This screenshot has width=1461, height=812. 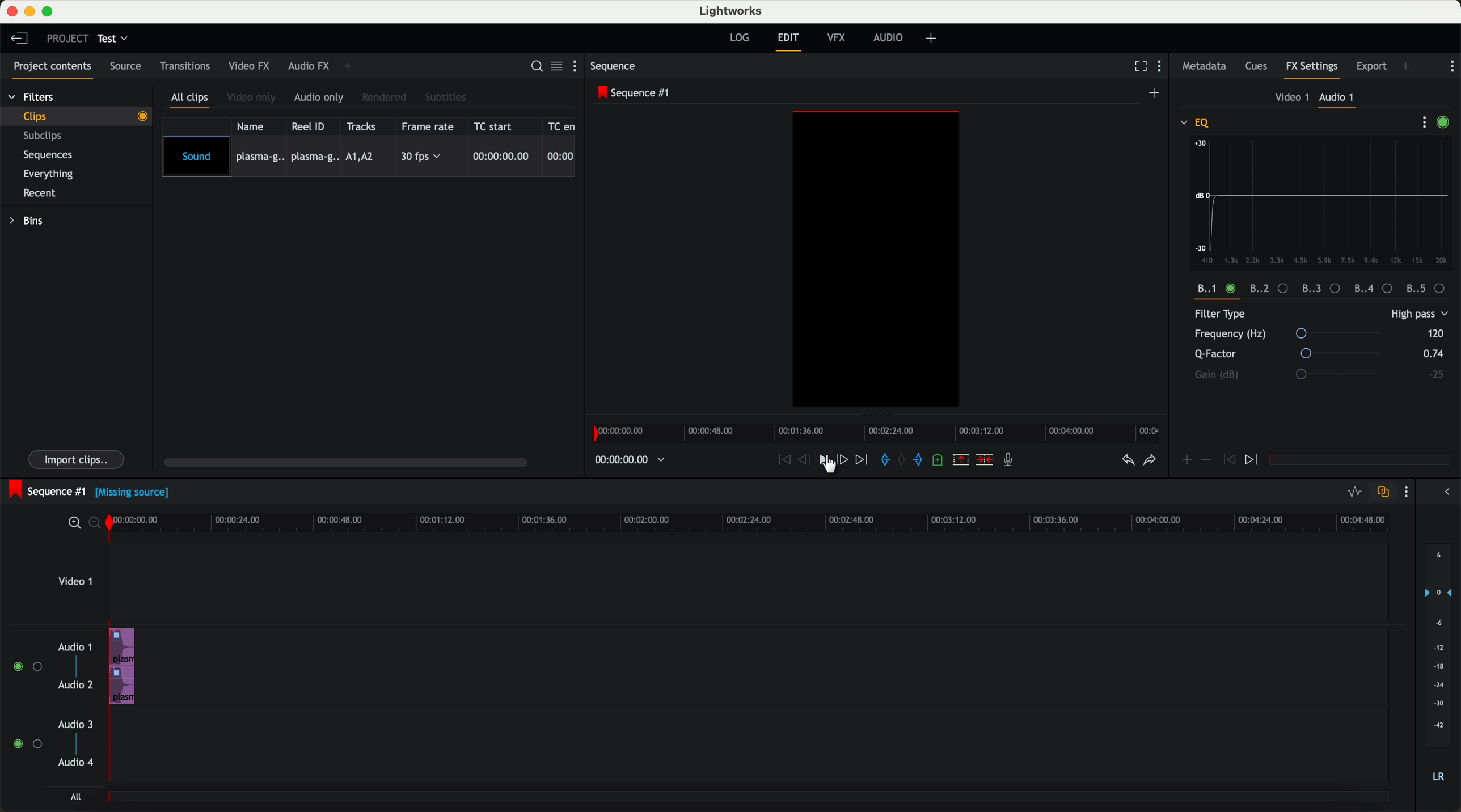 I want to click on move foward, so click(x=863, y=460).